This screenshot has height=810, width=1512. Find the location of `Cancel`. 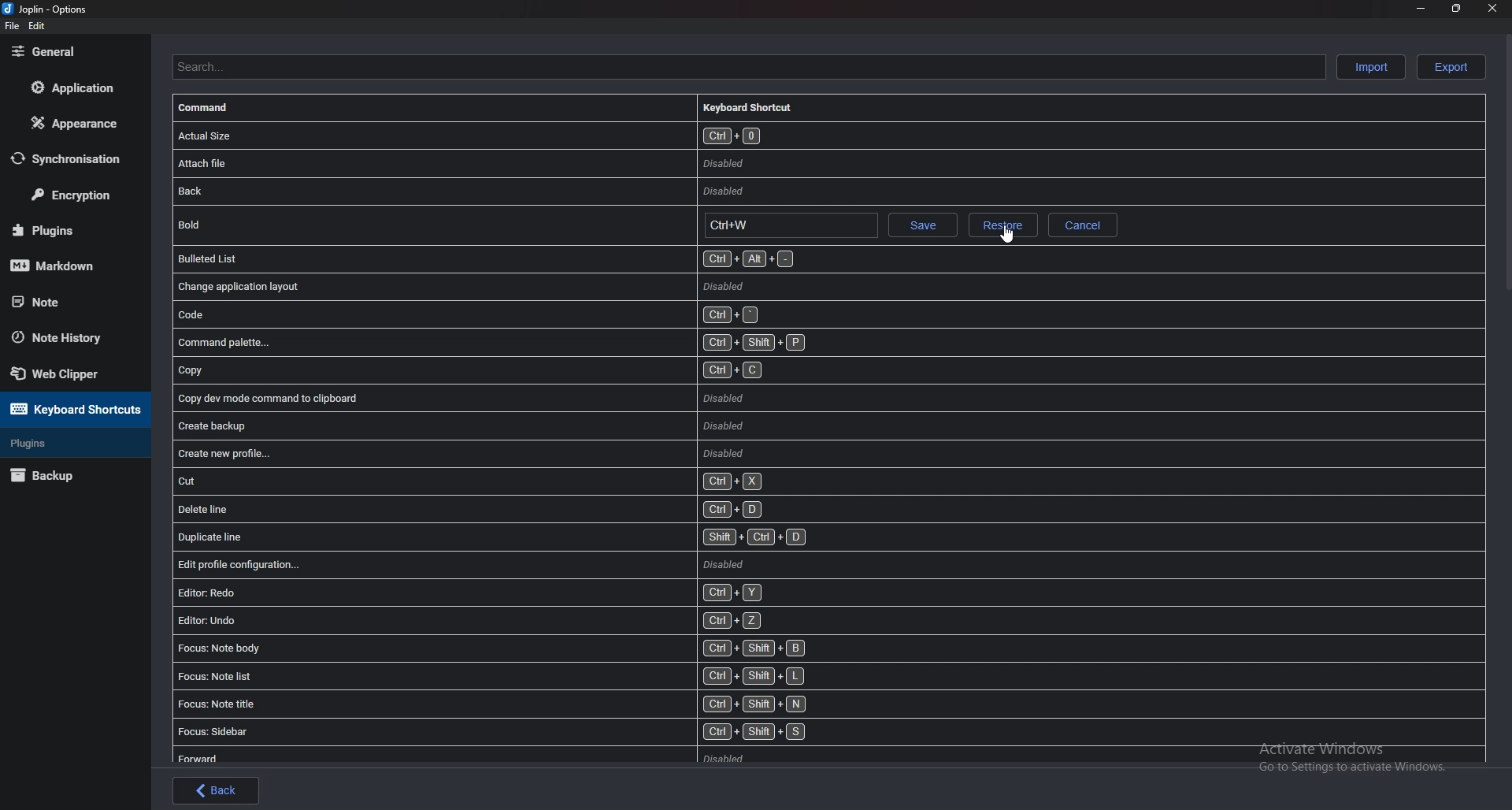

Cancel is located at coordinates (1084, 226).